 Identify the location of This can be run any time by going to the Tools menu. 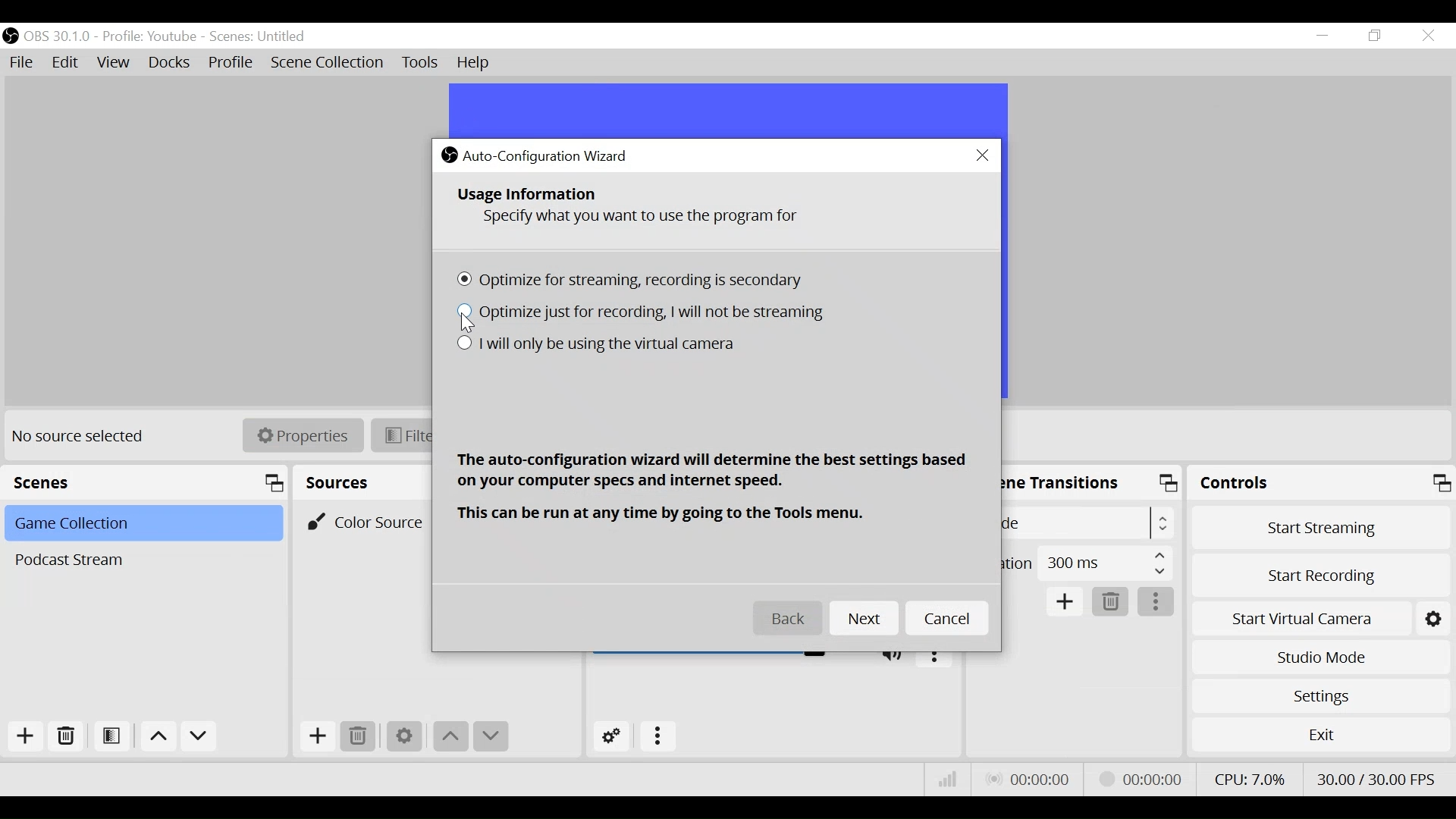
(667, 514).